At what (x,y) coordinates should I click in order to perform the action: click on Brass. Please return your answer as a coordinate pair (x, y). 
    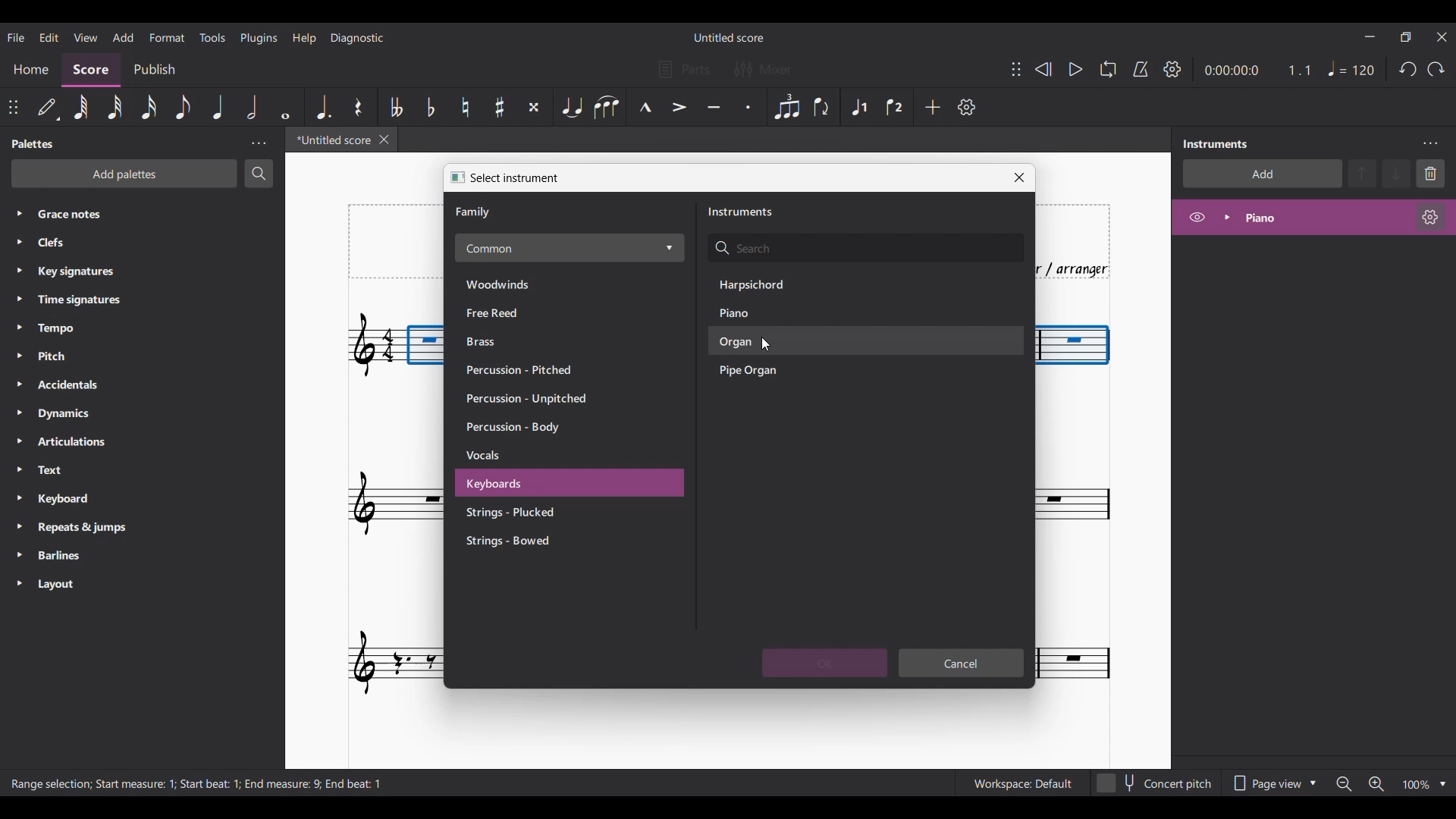
    Looking at the image, I should click on (513, 342).